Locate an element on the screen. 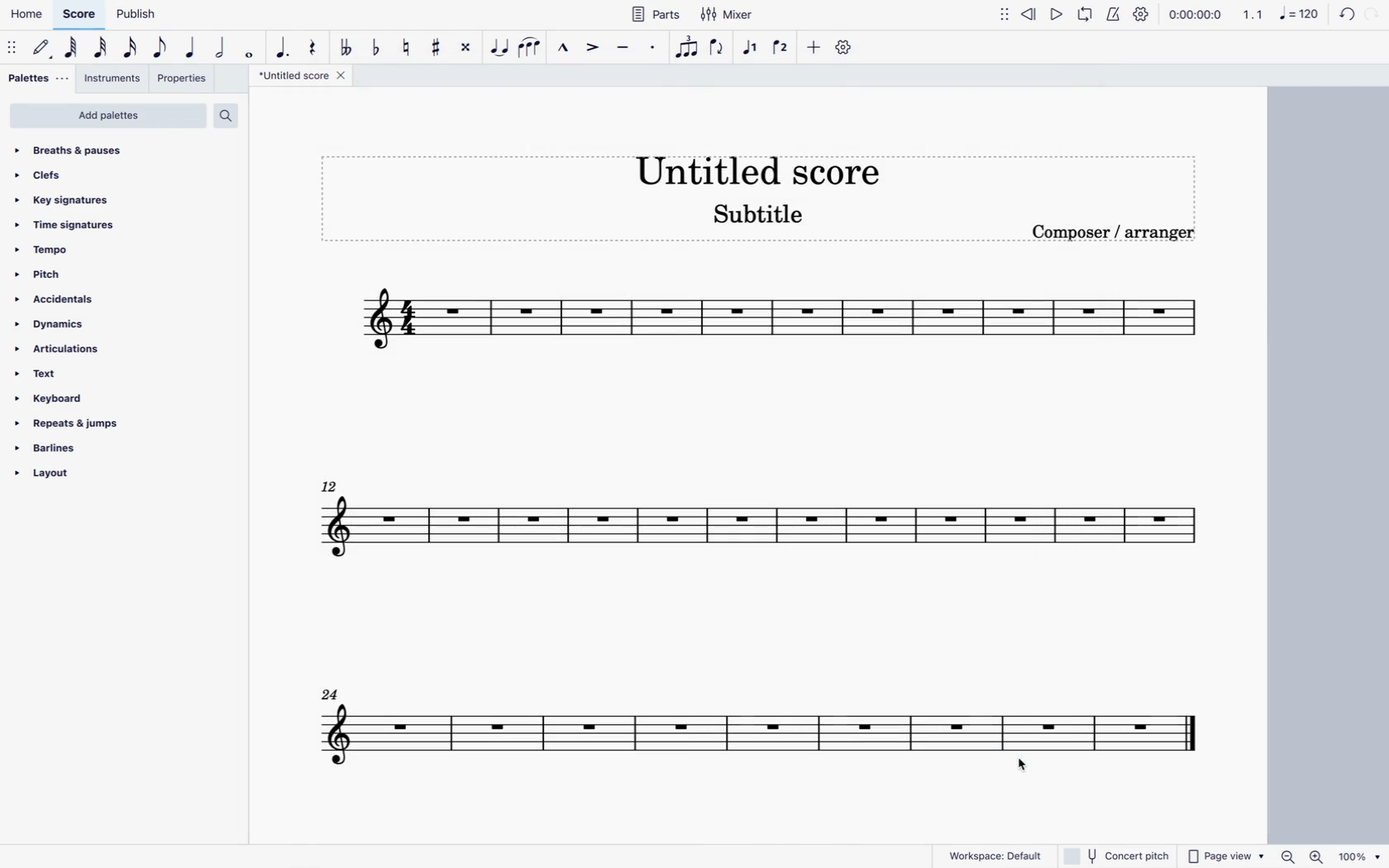  more is located at coordinates (814, 51).